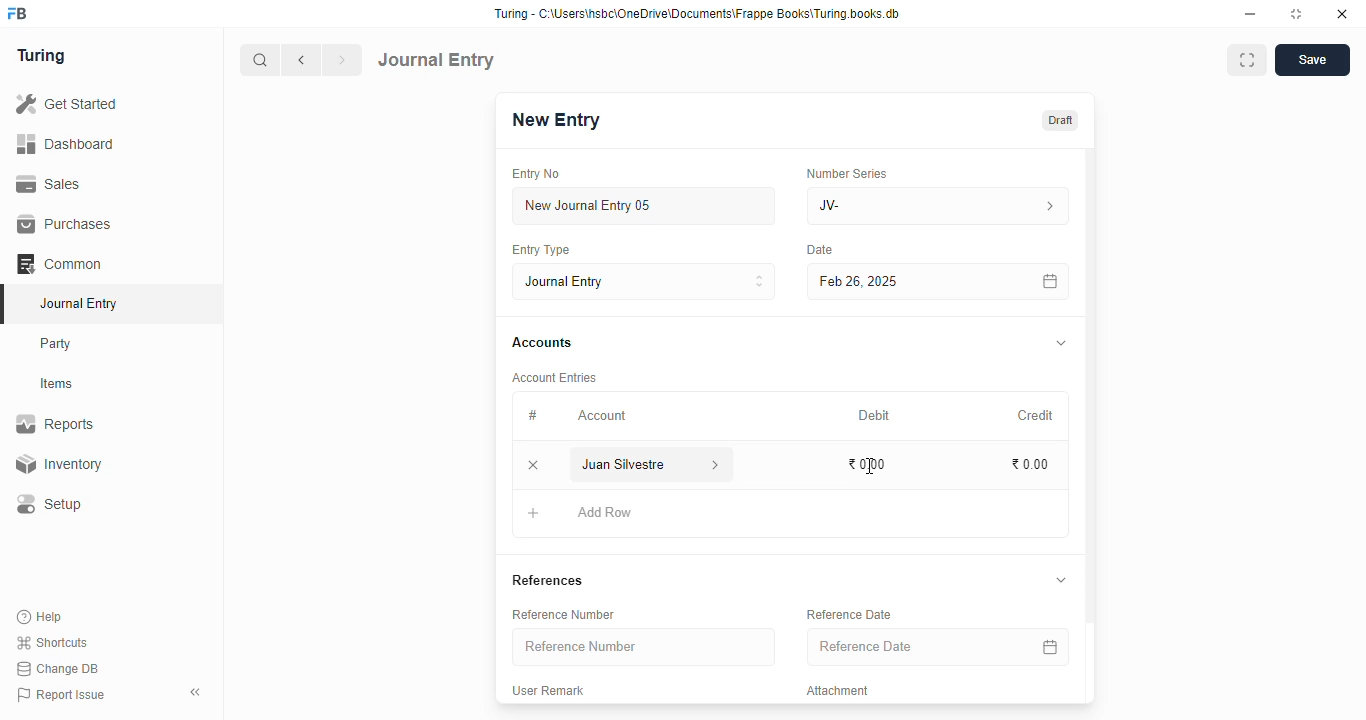  What do you see at coordinates (716, 465) in the screenshot?
I see `account information` at bounding box center [716, 465].